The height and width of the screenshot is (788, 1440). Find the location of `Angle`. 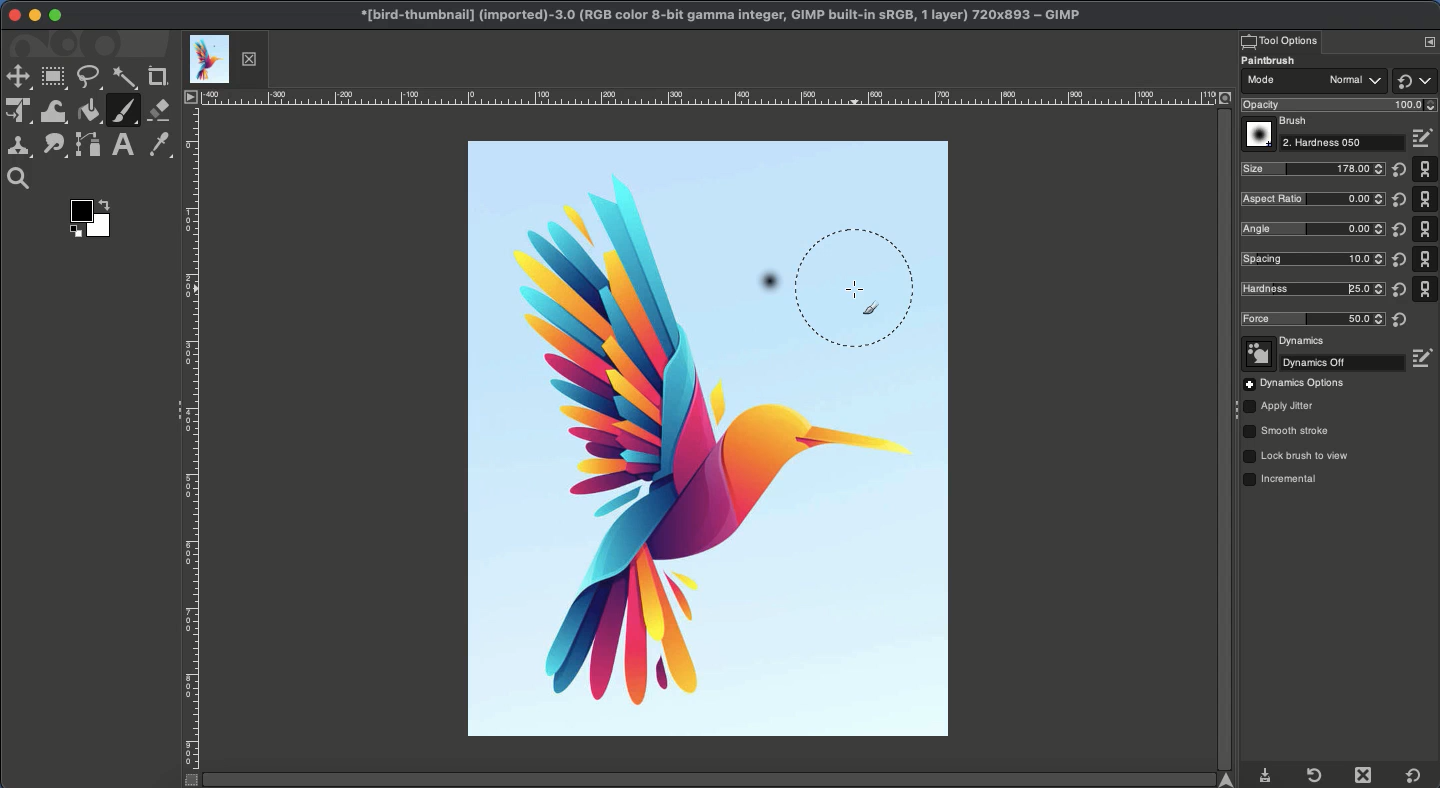

Angle is located at coordinates (1311, 228).